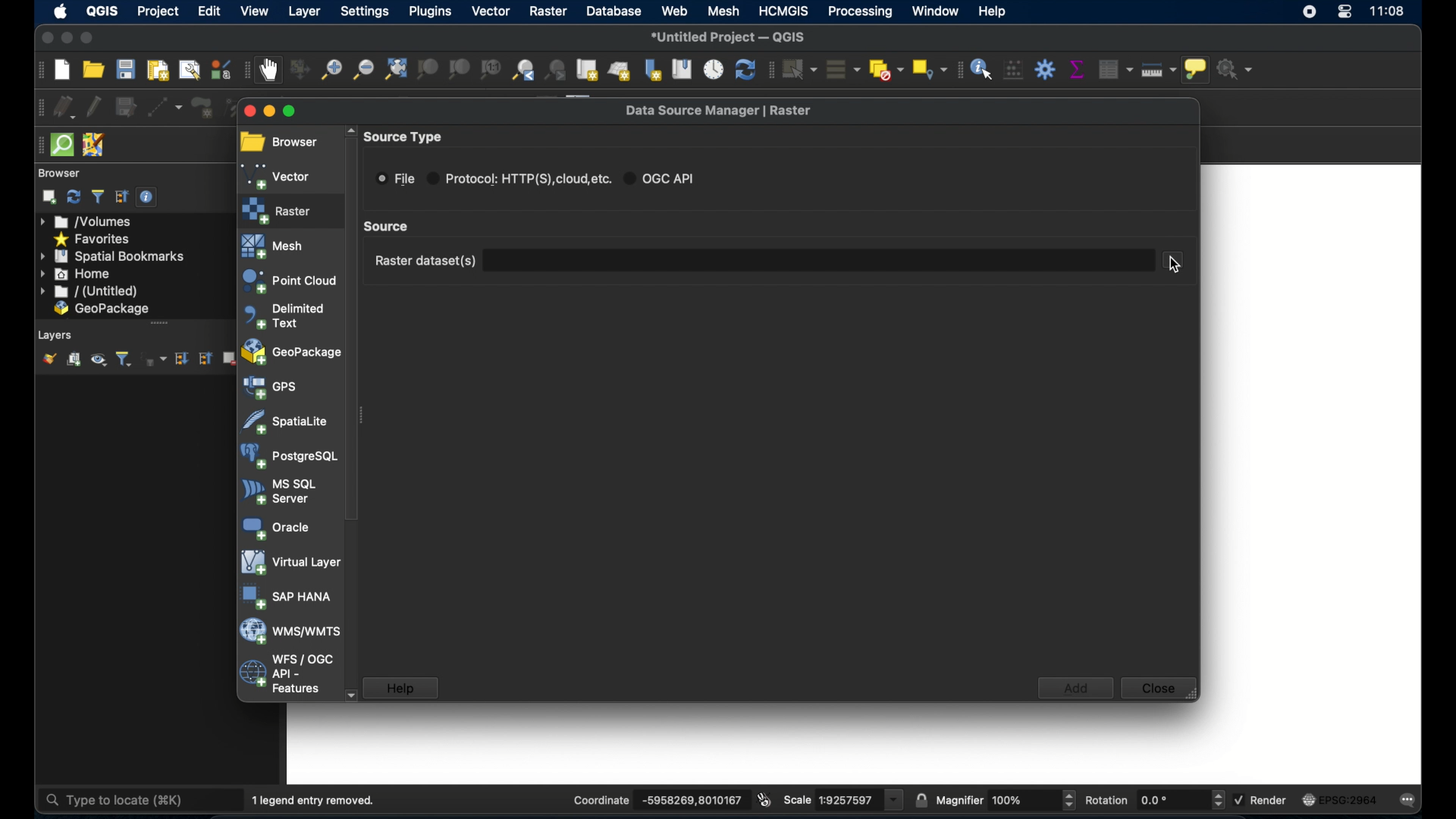 The width and height of the screenshot is (1456, 819). Describe the element at coordinates (770, 69) in the screenshot. I see `selection toolbar` at that location.